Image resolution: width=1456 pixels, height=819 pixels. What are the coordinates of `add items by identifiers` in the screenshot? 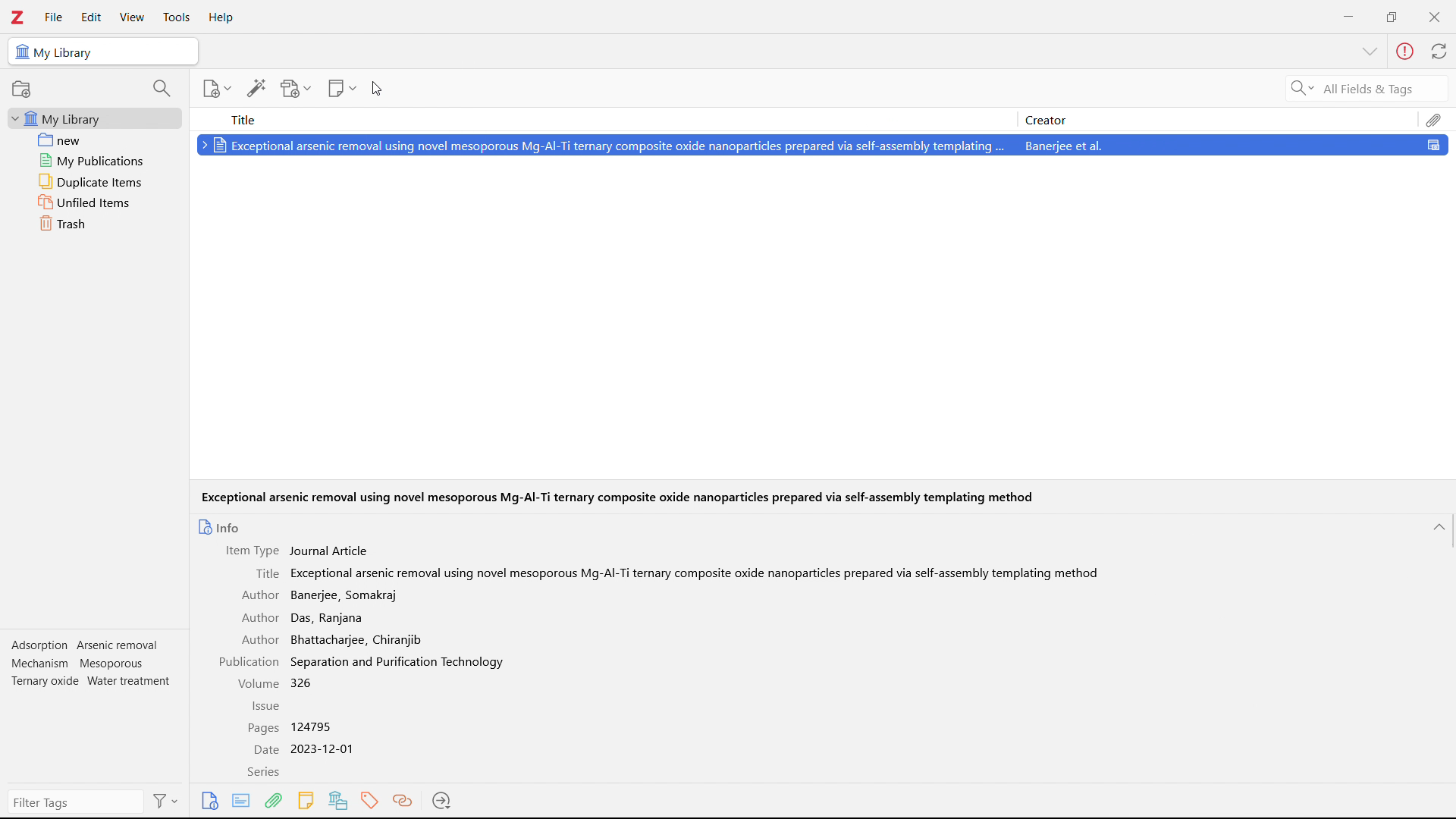 It's located at (256, 88).